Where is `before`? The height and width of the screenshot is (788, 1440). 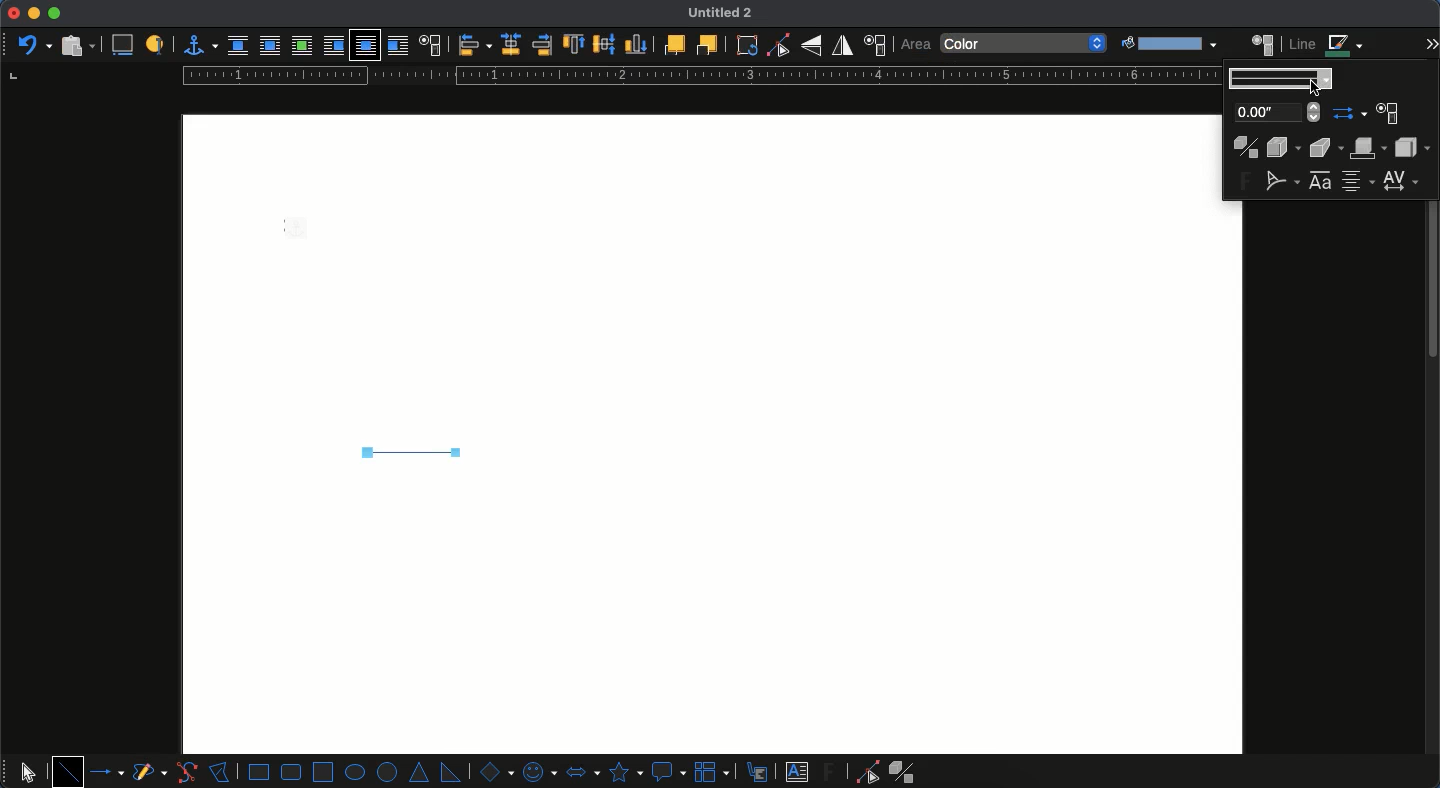 before is located at coordinates (333, 46).